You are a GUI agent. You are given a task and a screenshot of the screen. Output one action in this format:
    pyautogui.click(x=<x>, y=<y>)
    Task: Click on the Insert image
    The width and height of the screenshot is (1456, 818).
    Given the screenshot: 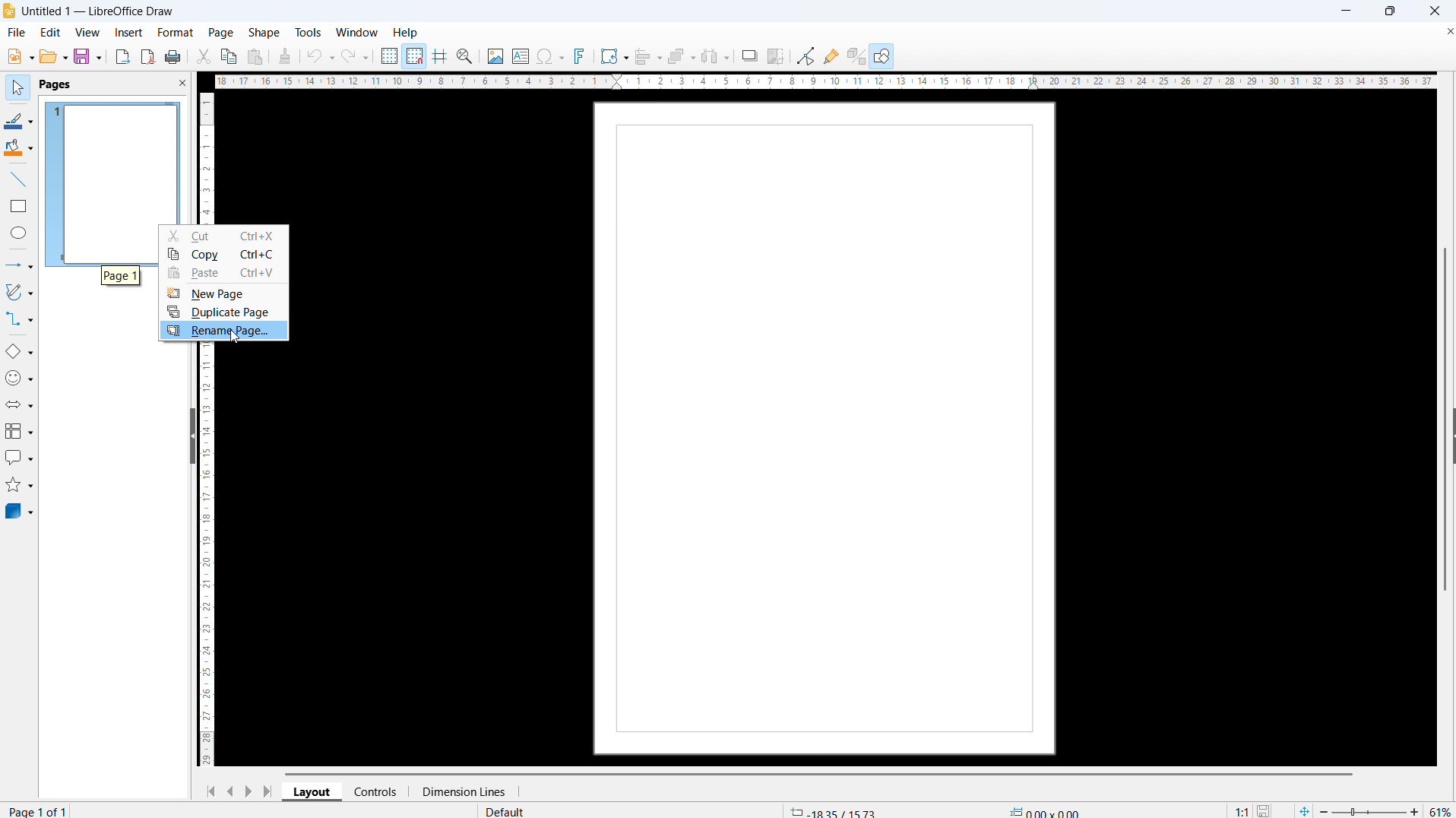 What is the action you would take?
    pyautogui.click(x=495, y=55)
    